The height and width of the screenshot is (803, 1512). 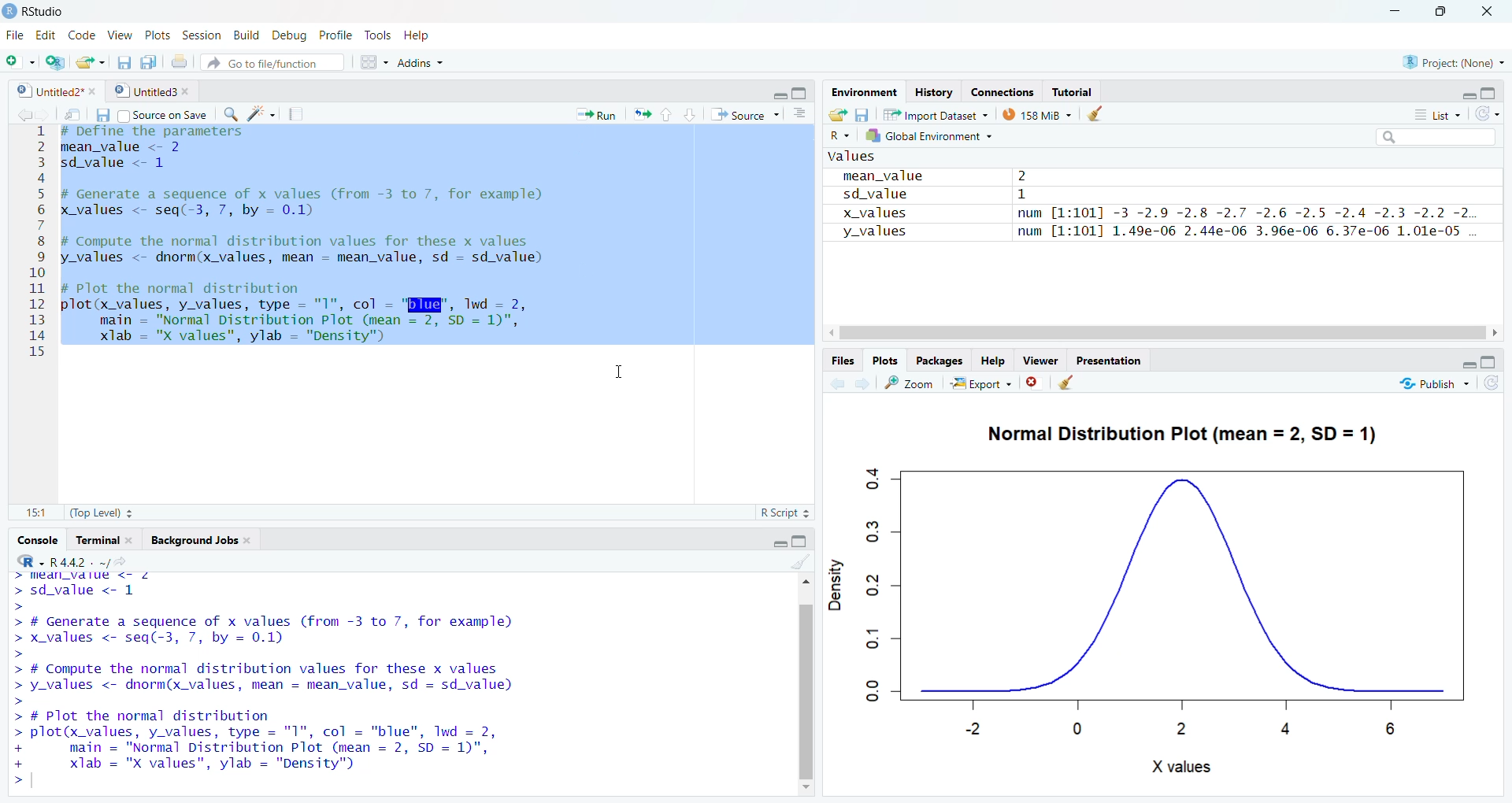 What do you see at coordinates (1445, 62) in the screenshot?
I see `U Project: (None) +` at bounding box center [1445, 62].